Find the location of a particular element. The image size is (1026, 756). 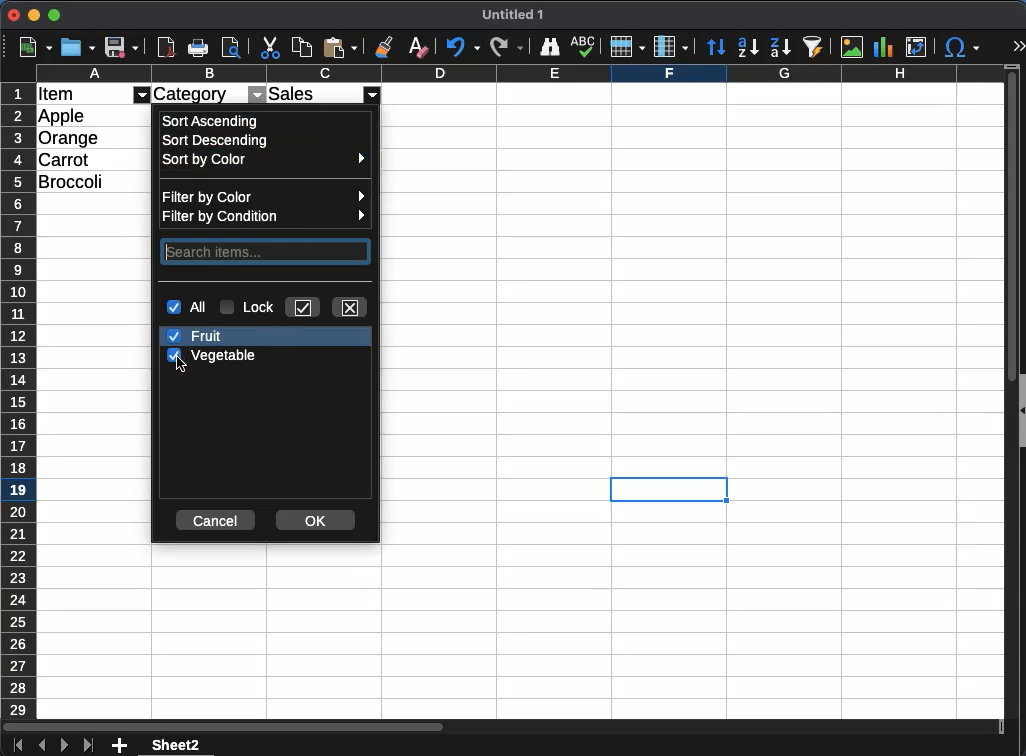

special character is located at coordinates (963, 49).